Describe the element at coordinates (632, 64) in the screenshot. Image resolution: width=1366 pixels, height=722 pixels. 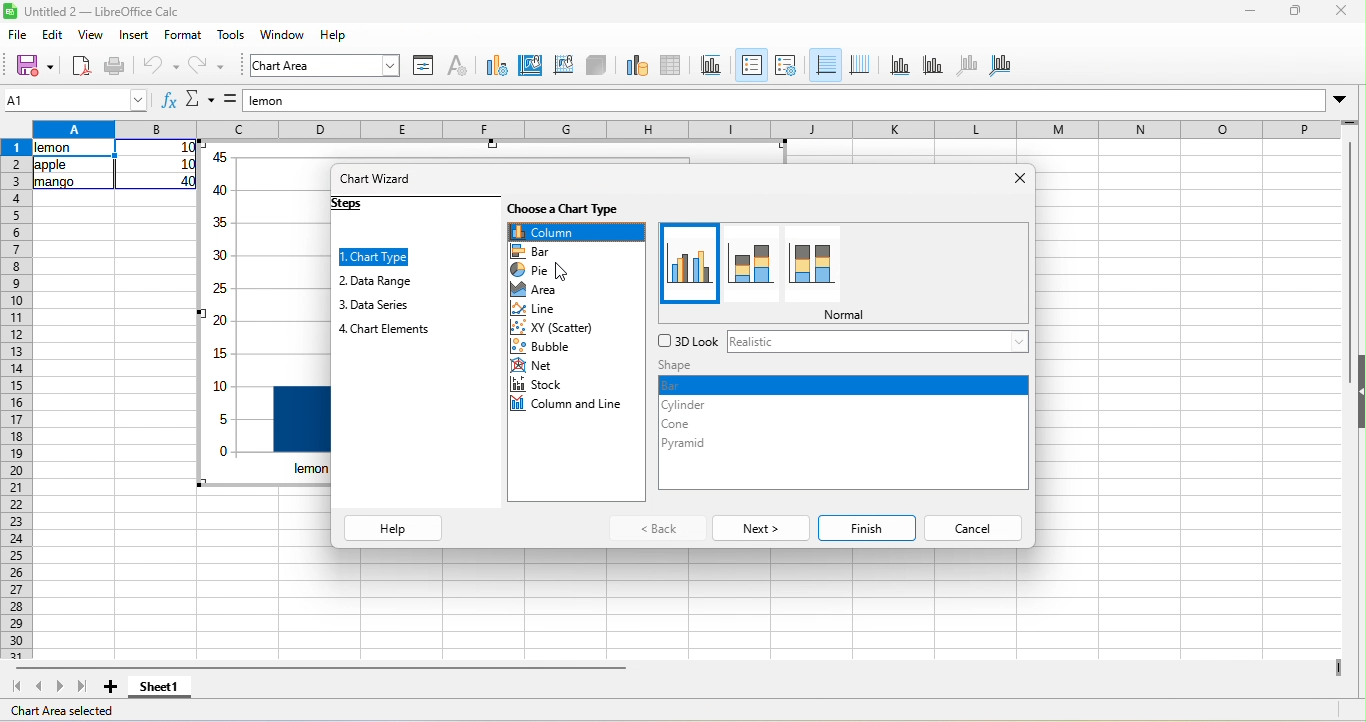
I see `data range` at that location.